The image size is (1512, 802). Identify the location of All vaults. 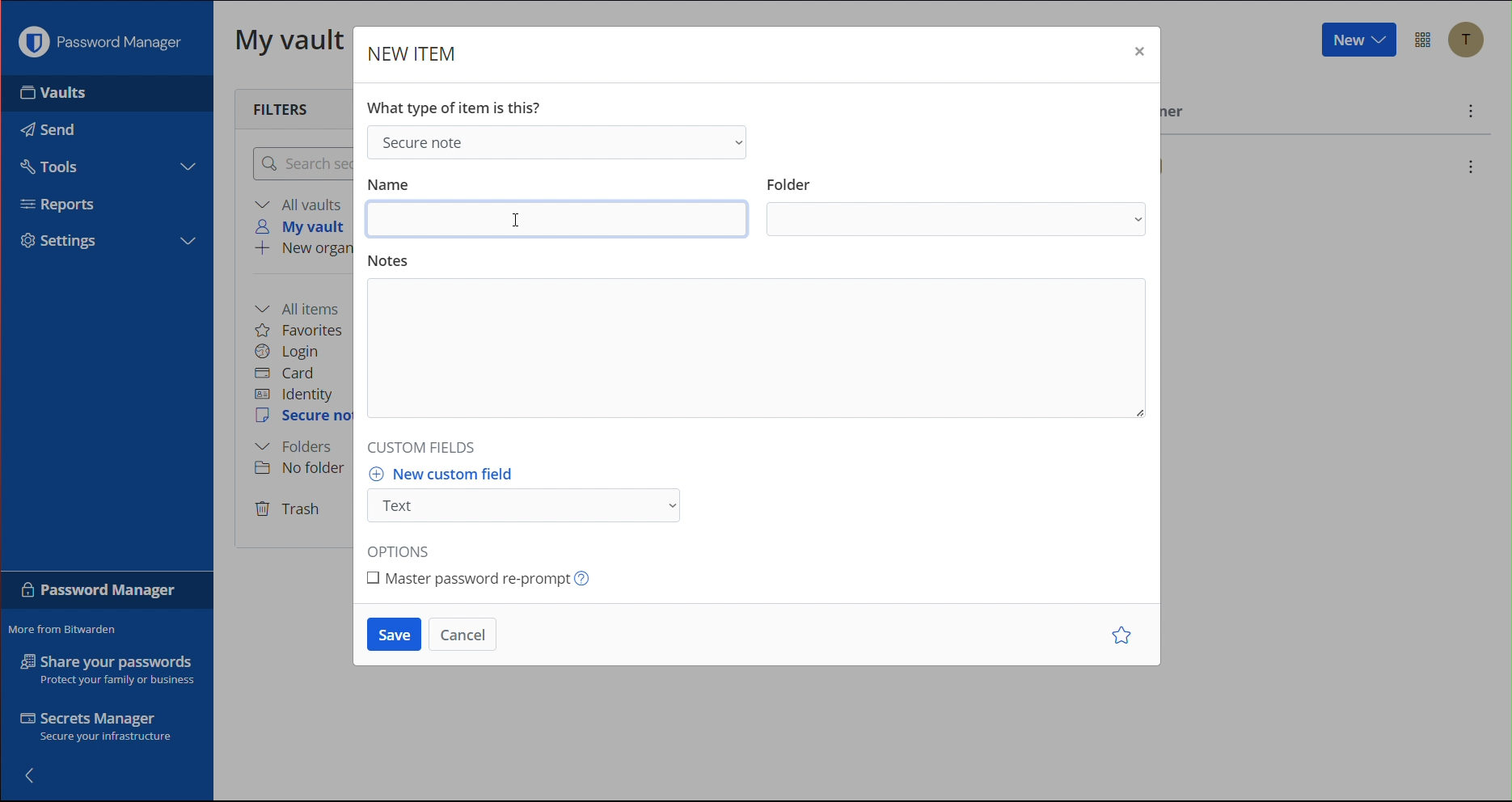
(302, 204).